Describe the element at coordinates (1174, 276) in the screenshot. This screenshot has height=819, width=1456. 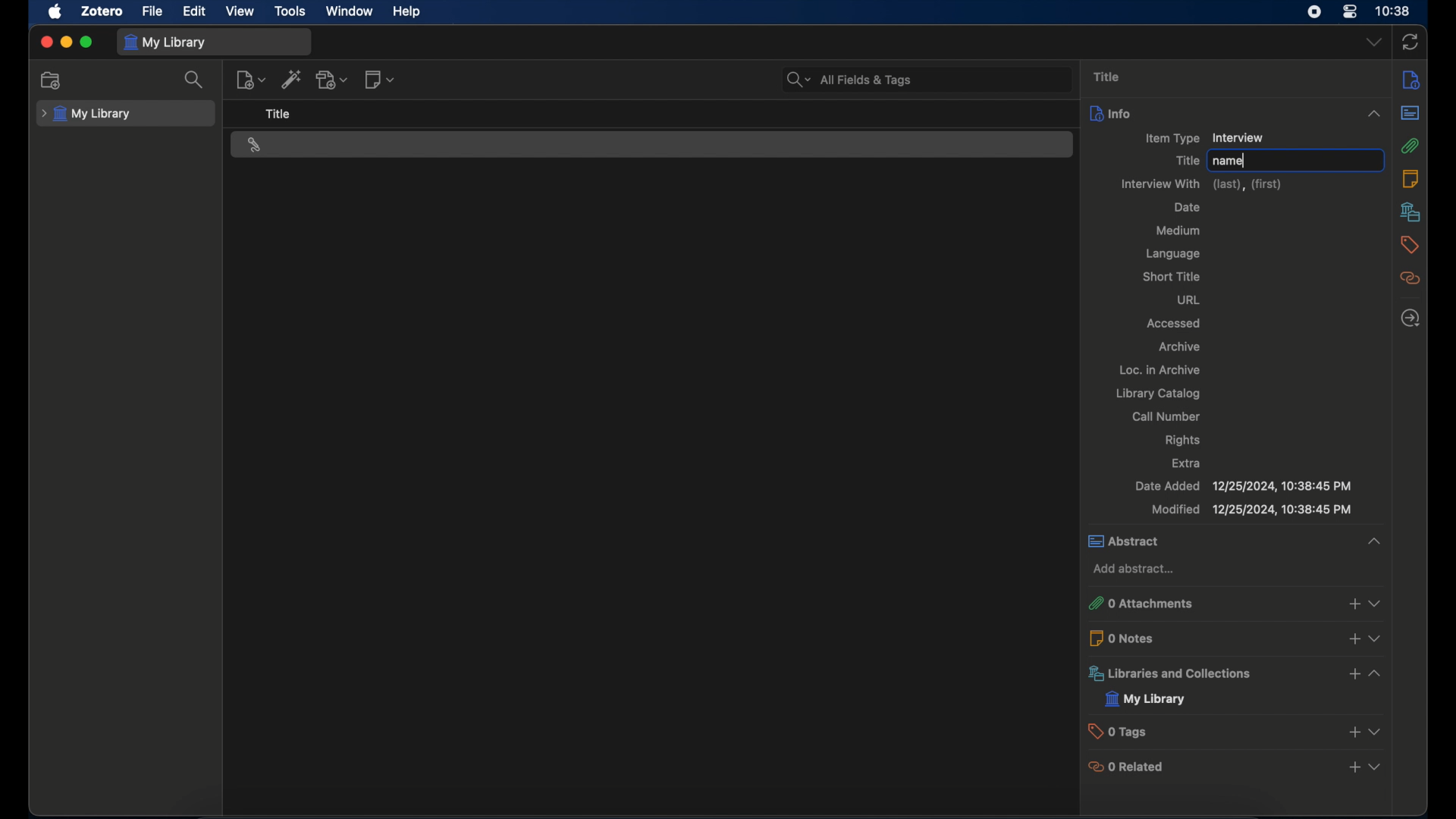
I see `short title` at that location.